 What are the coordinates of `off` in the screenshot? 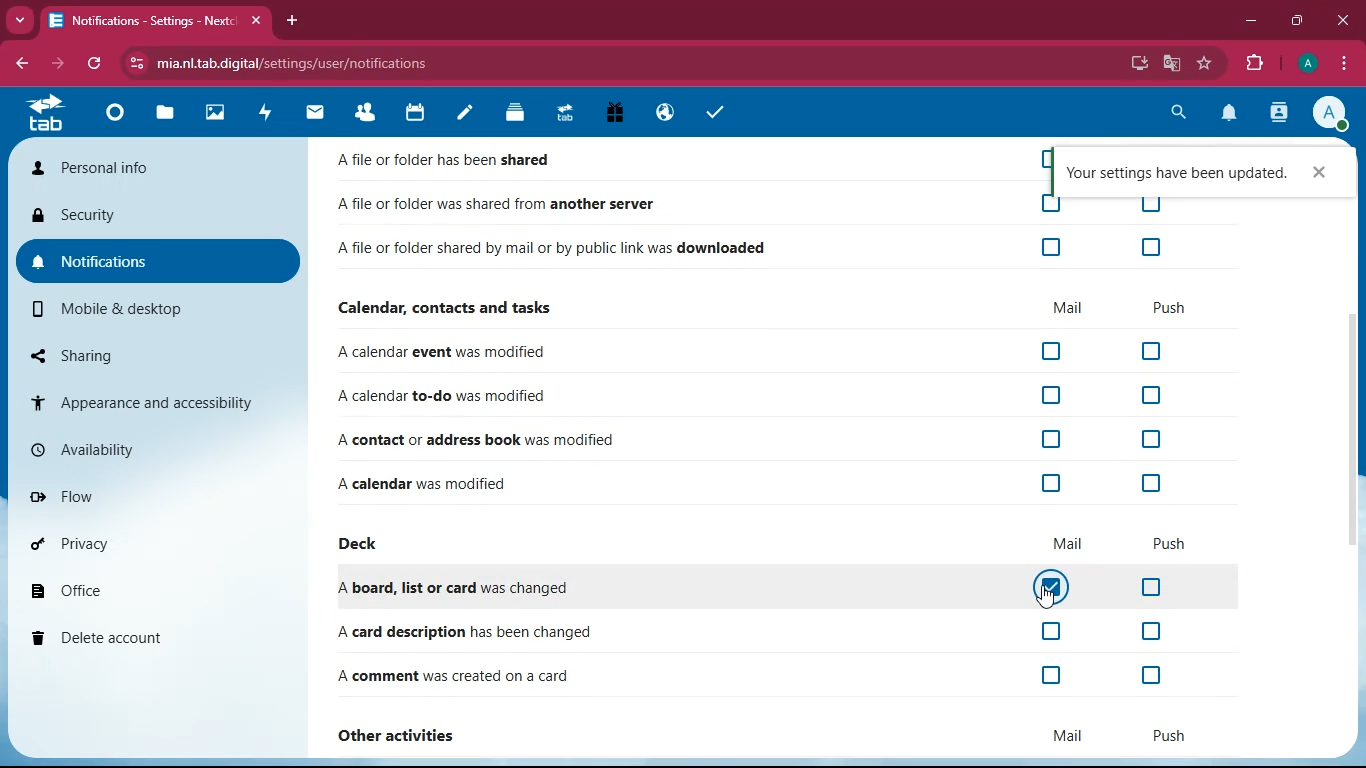 It's located at (1151, 240).